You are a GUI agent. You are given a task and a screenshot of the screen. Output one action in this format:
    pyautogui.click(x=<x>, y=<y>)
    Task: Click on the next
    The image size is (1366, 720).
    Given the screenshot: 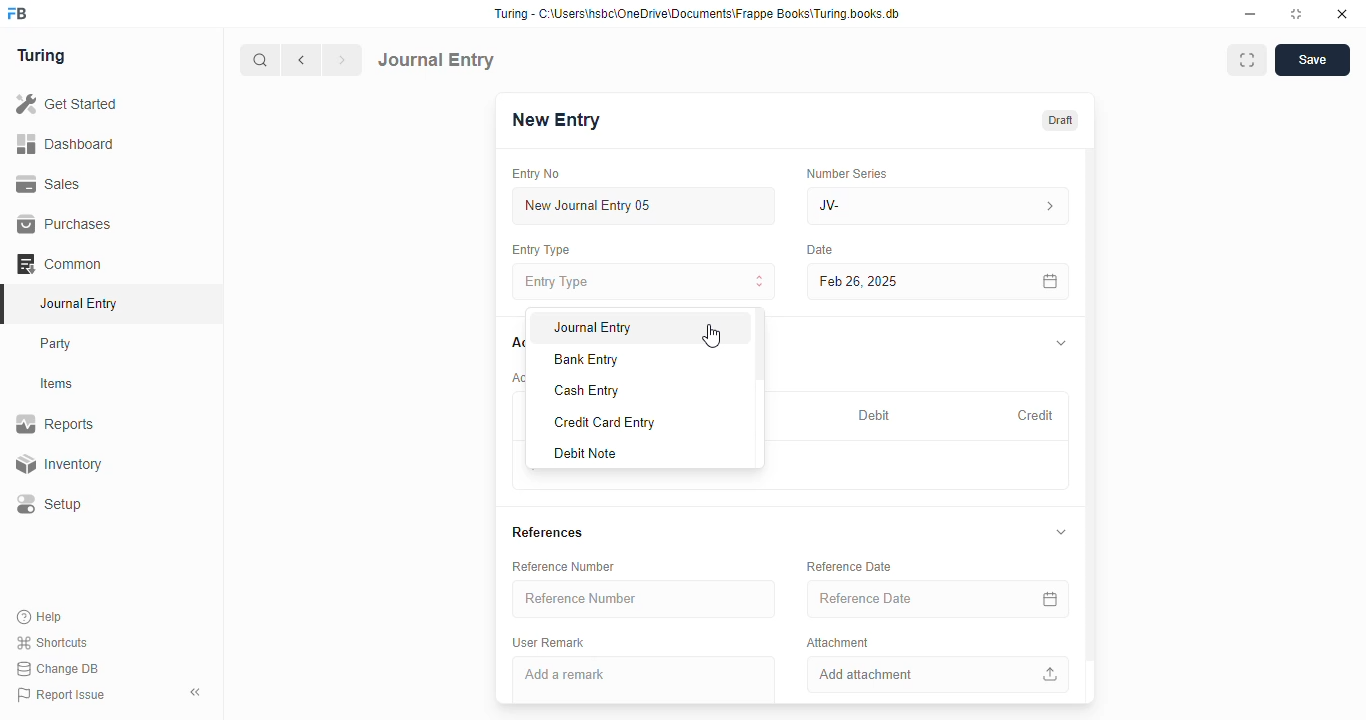 What is the action you would take?
    pyautogui.click(x=344, y=60)
    